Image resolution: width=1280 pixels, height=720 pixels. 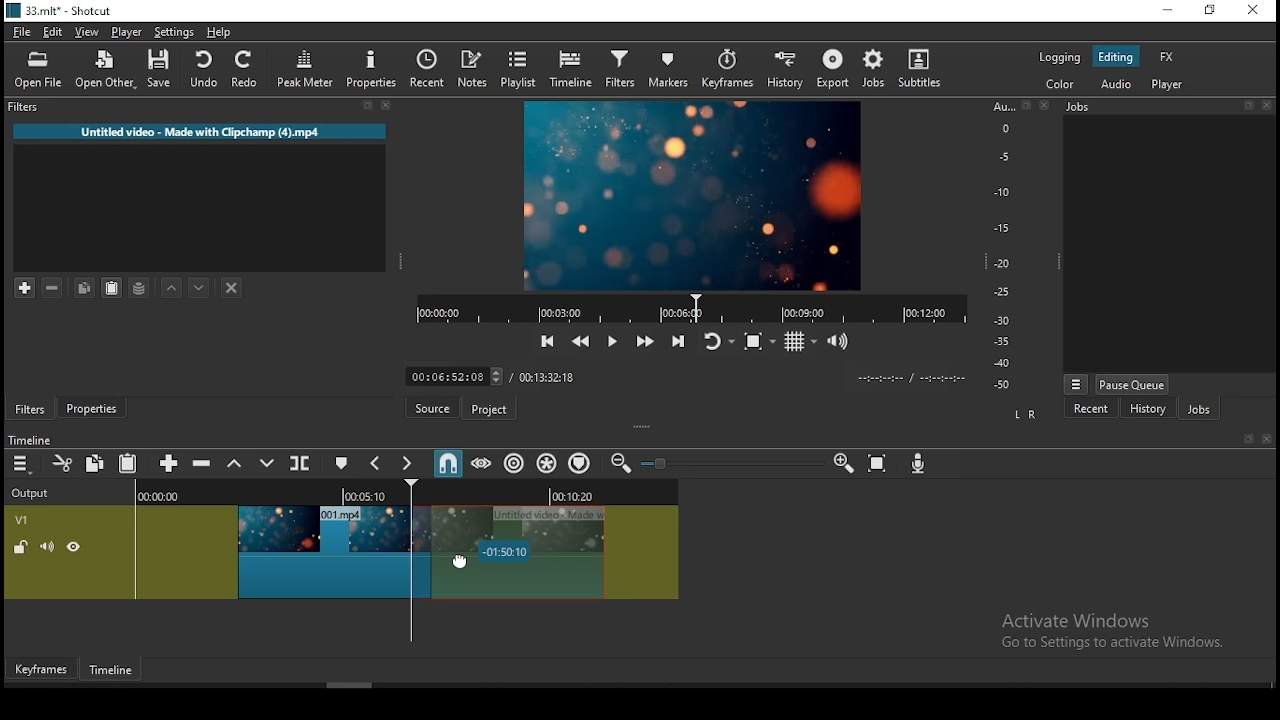 What do you see at coordinates (248, 72) in the screenshot?
I see `redo` at bounding box center [248, 72].